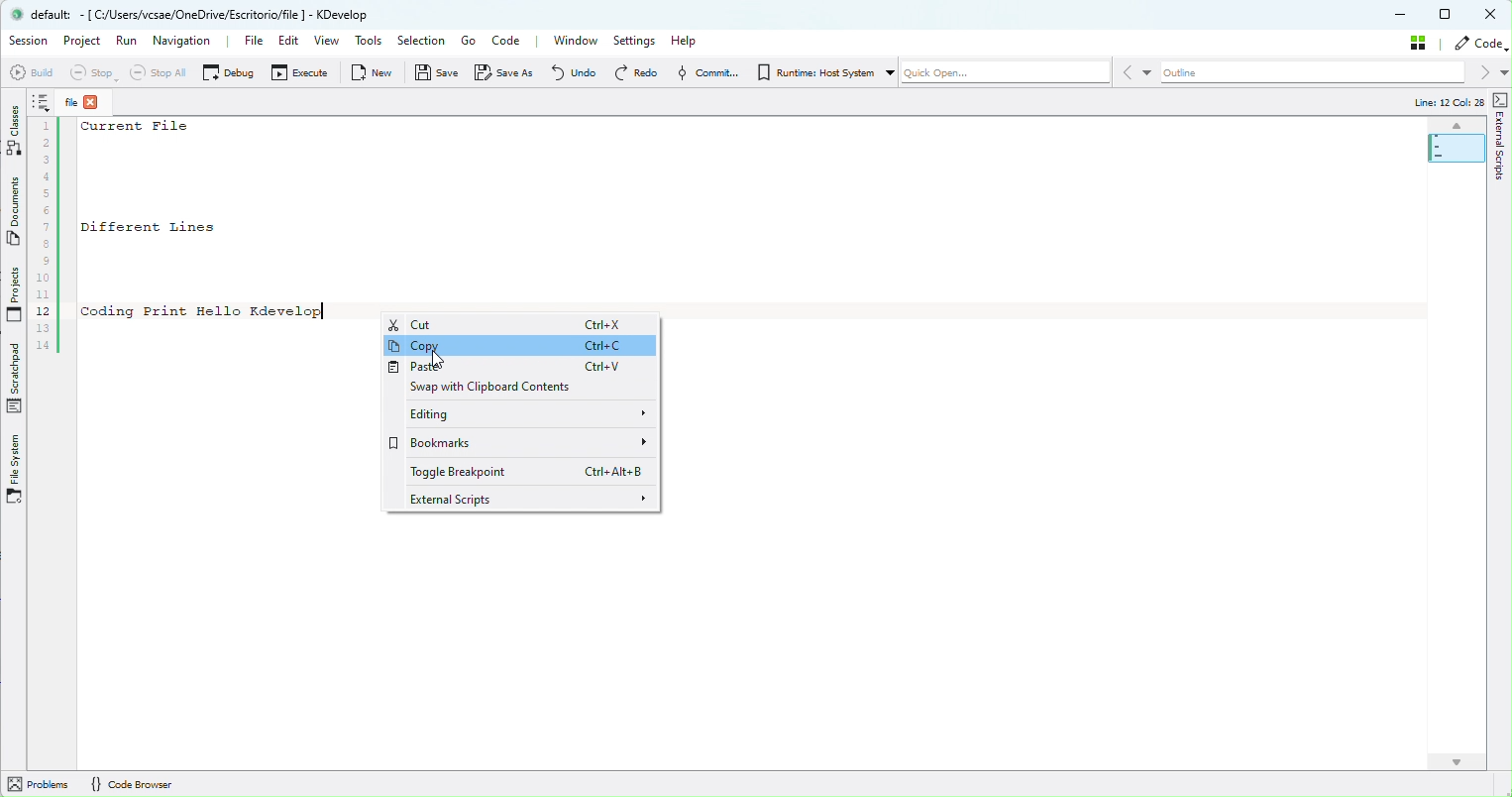  I want to click on Classes, so click(14, 126).